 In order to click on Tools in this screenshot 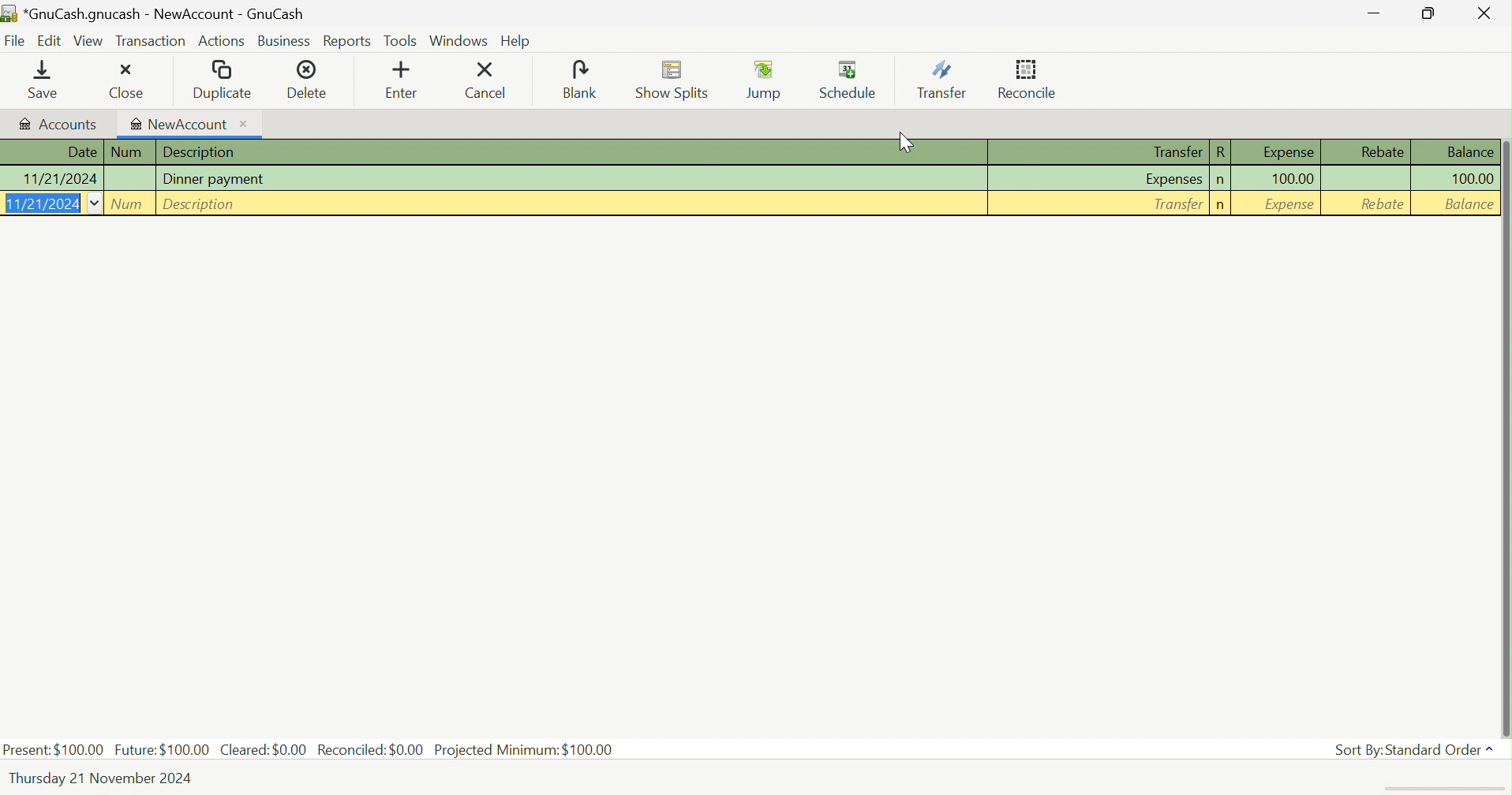, I will do `click(401, 40)`.